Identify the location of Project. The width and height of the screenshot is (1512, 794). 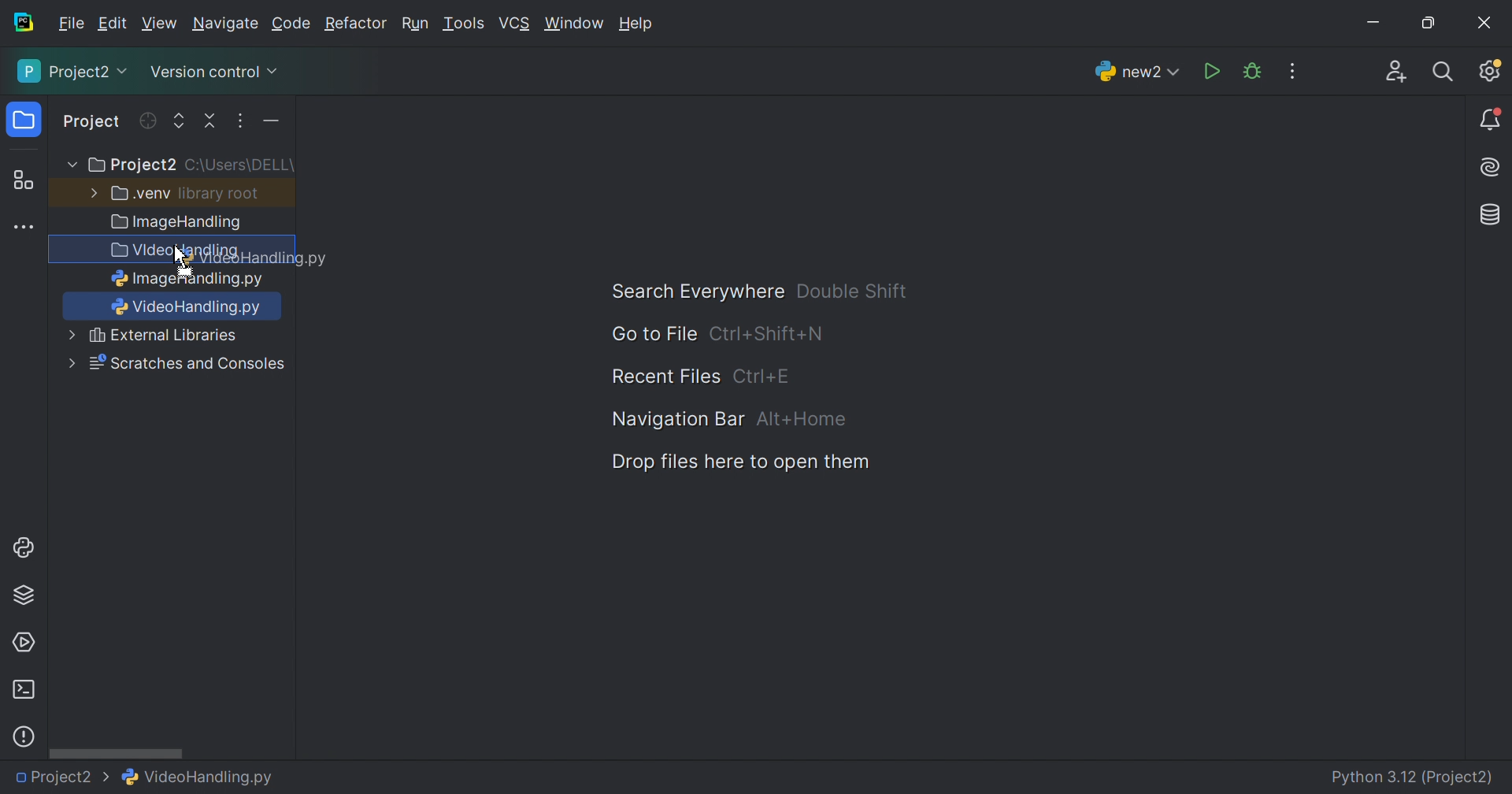
(93, 123).